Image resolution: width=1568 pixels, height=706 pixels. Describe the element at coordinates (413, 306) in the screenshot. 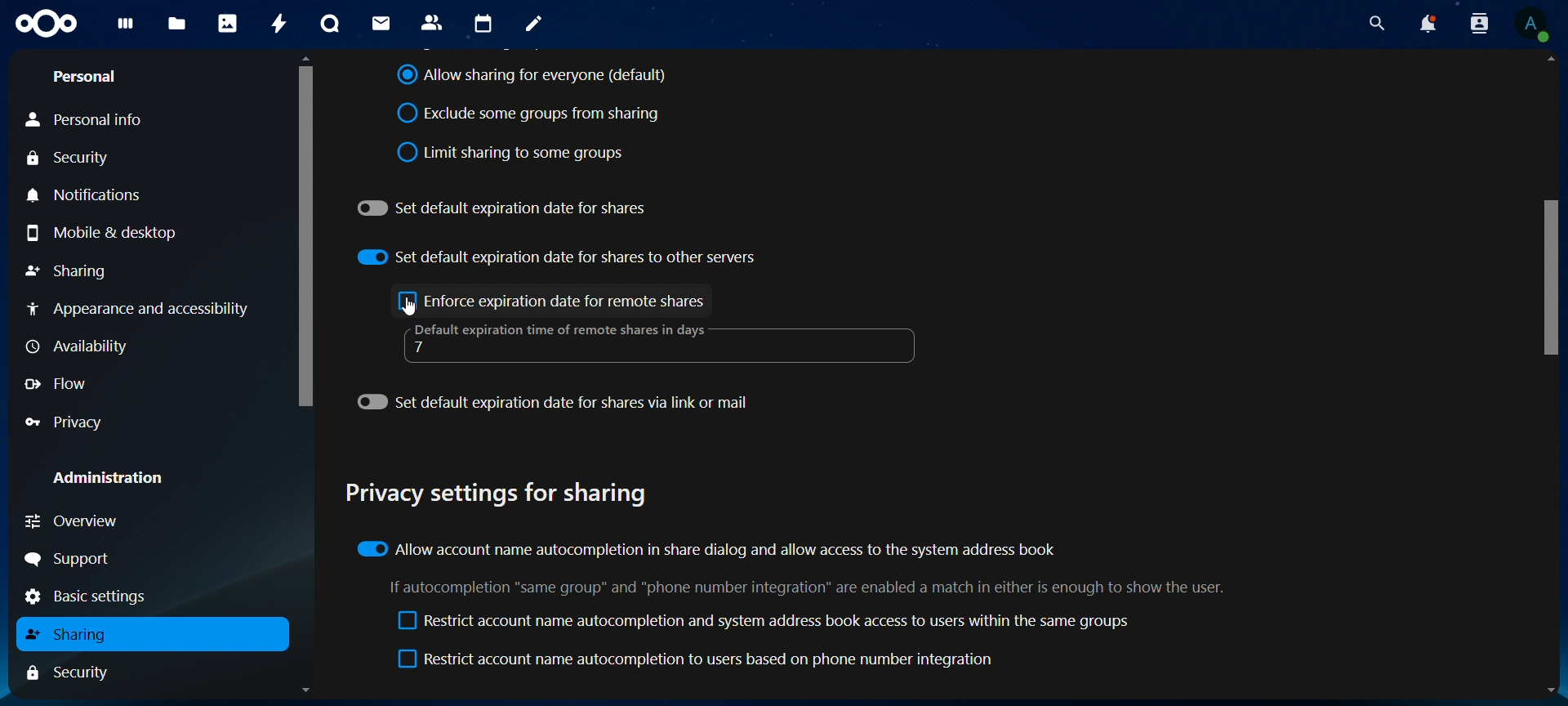

I see `Cursor` at that location.